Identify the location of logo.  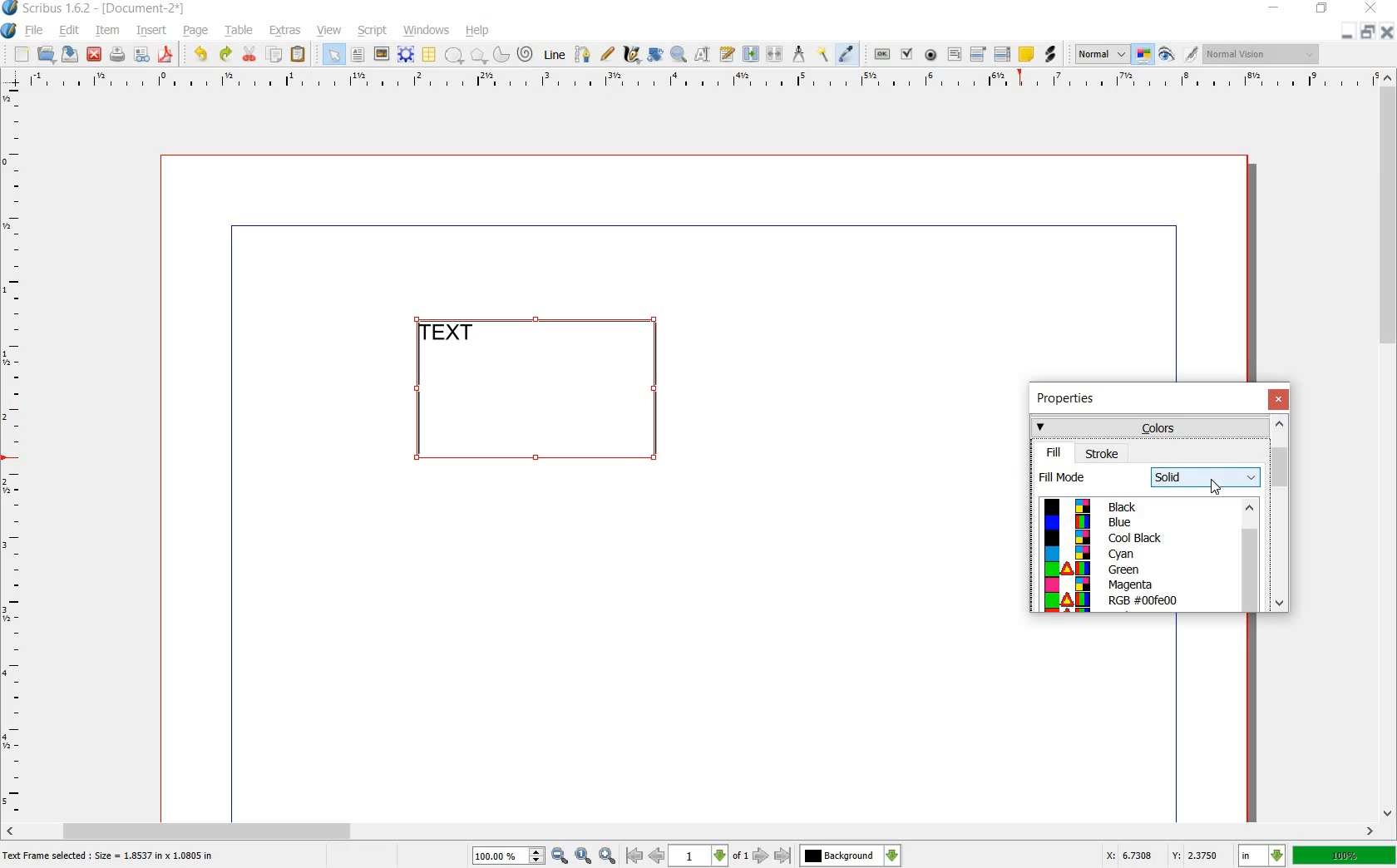
(11, 9).